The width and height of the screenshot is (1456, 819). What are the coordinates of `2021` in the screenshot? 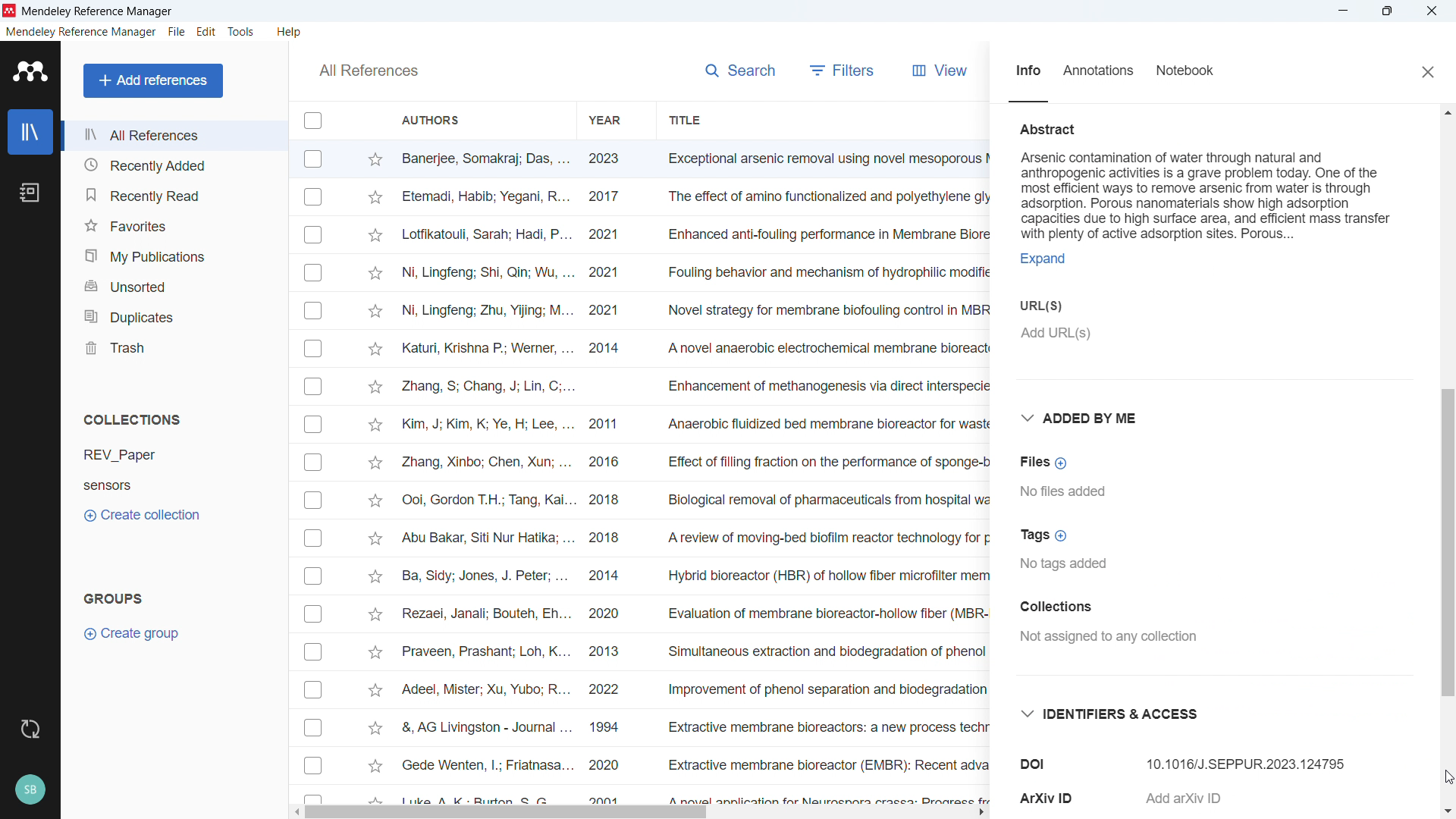 It's located at (611, 233).